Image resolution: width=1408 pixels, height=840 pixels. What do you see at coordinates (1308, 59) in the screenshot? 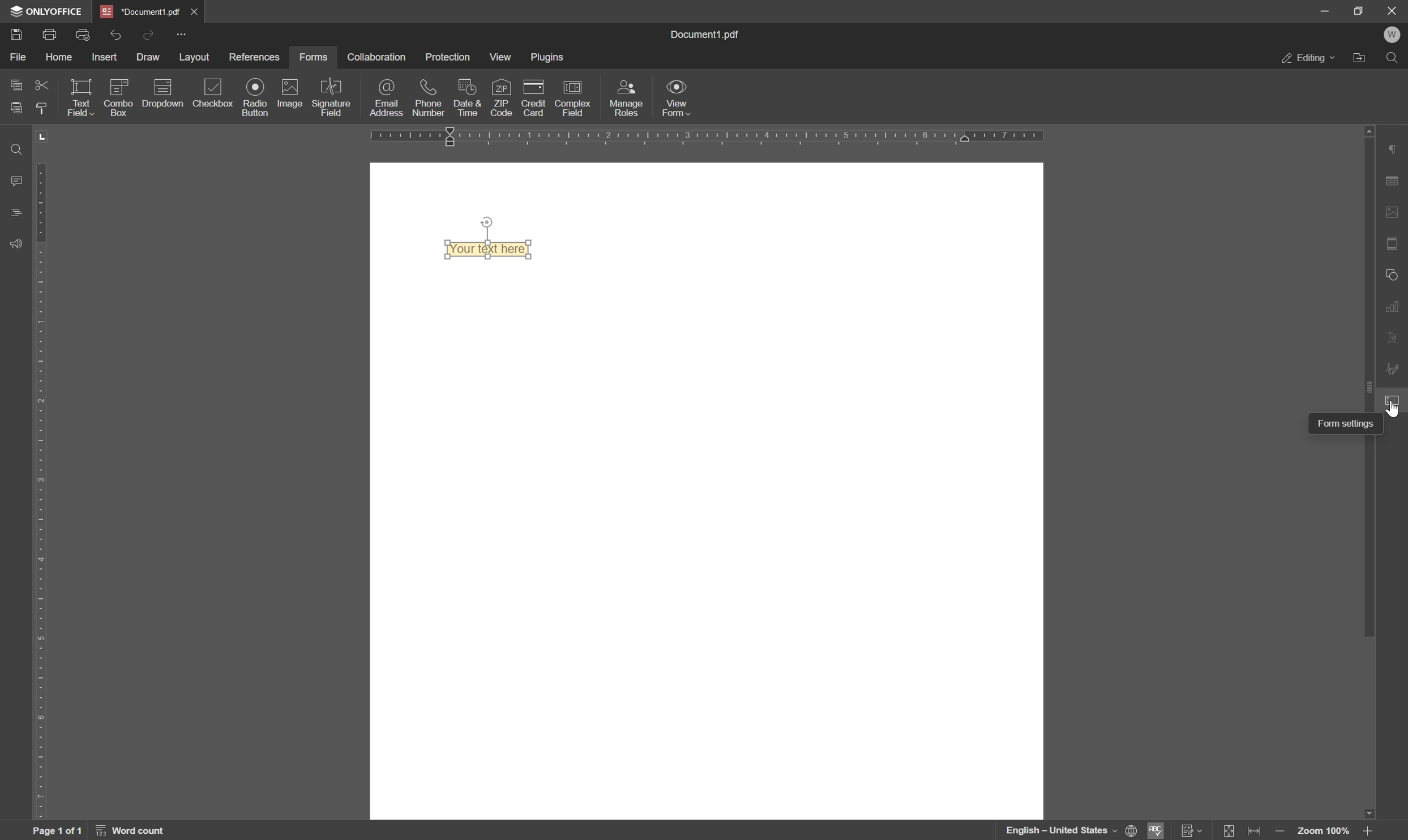
I see `editing` at bounding box center [1308, 59].